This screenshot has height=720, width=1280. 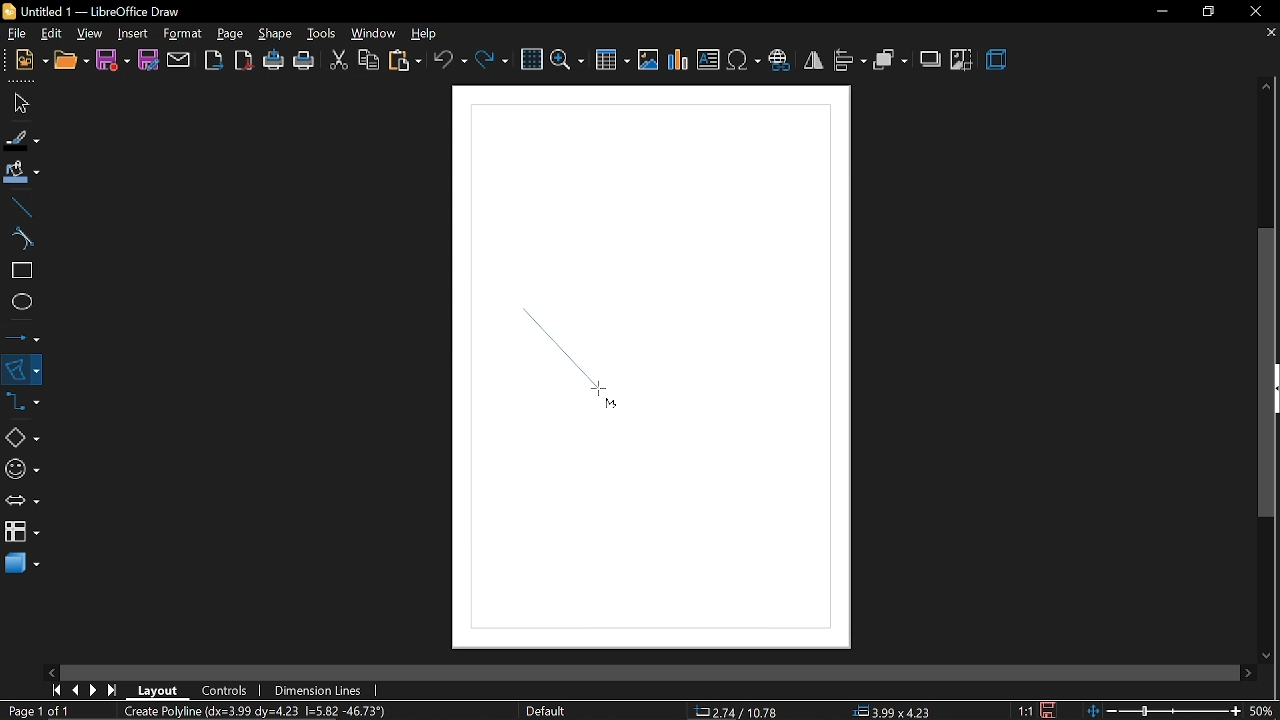 What do you see at coordinates (1269, 373) in the screenshot?
I see `vertical scrollbar` at bounding box center [1269, 373].